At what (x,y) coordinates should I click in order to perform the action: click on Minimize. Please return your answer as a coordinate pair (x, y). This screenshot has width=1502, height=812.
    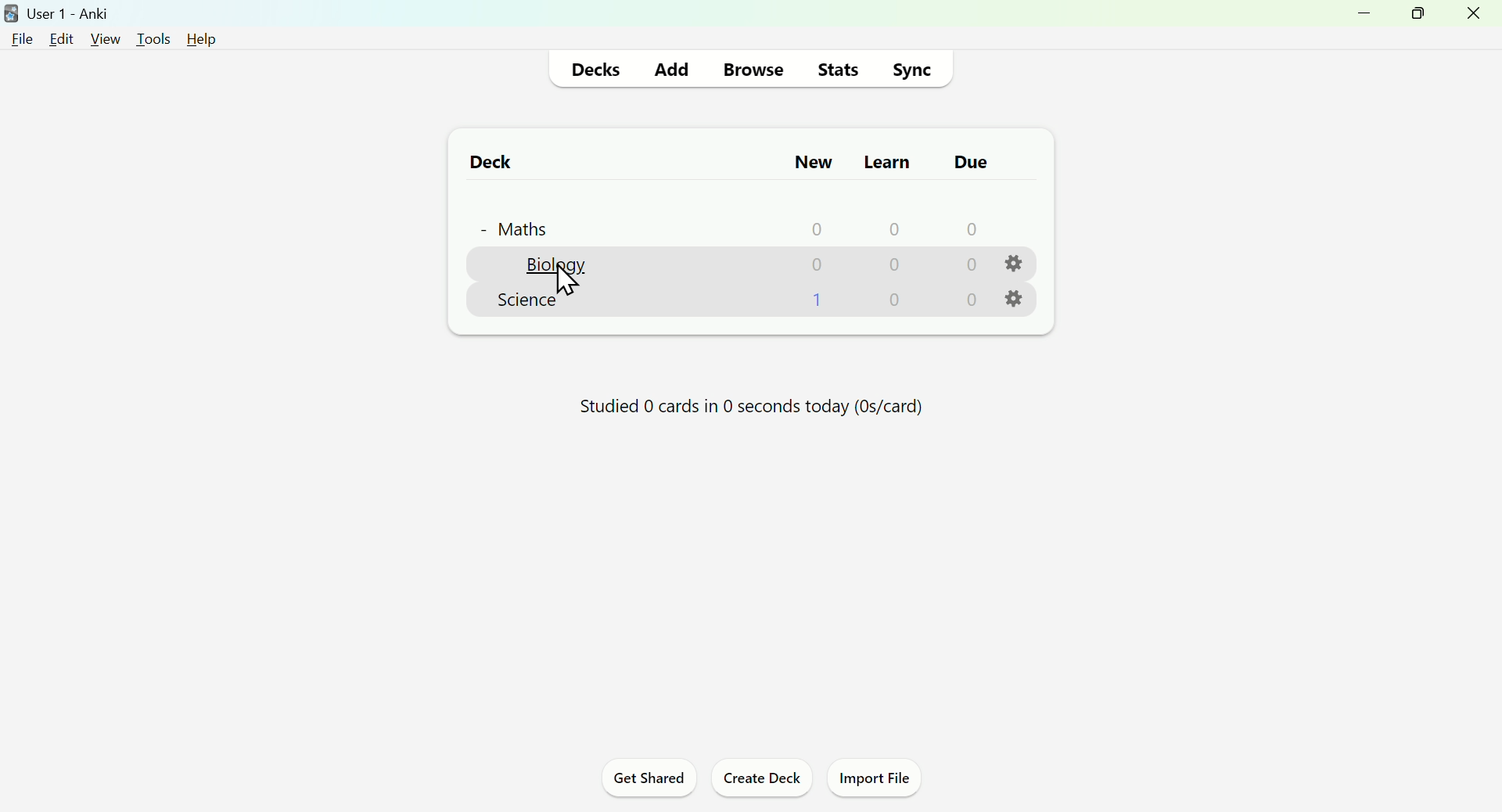
    Looking at the image, I should click on (1359, 20).